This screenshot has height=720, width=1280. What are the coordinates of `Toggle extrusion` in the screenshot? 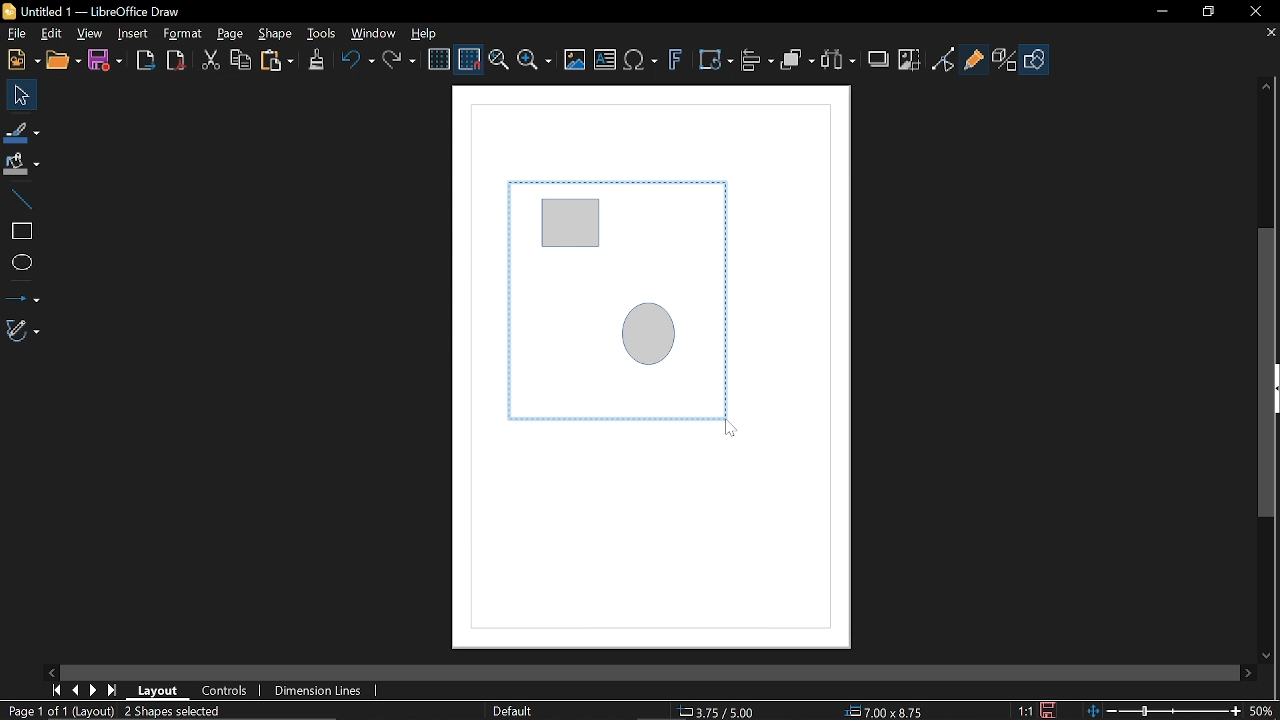 It's located at (1003, 59).